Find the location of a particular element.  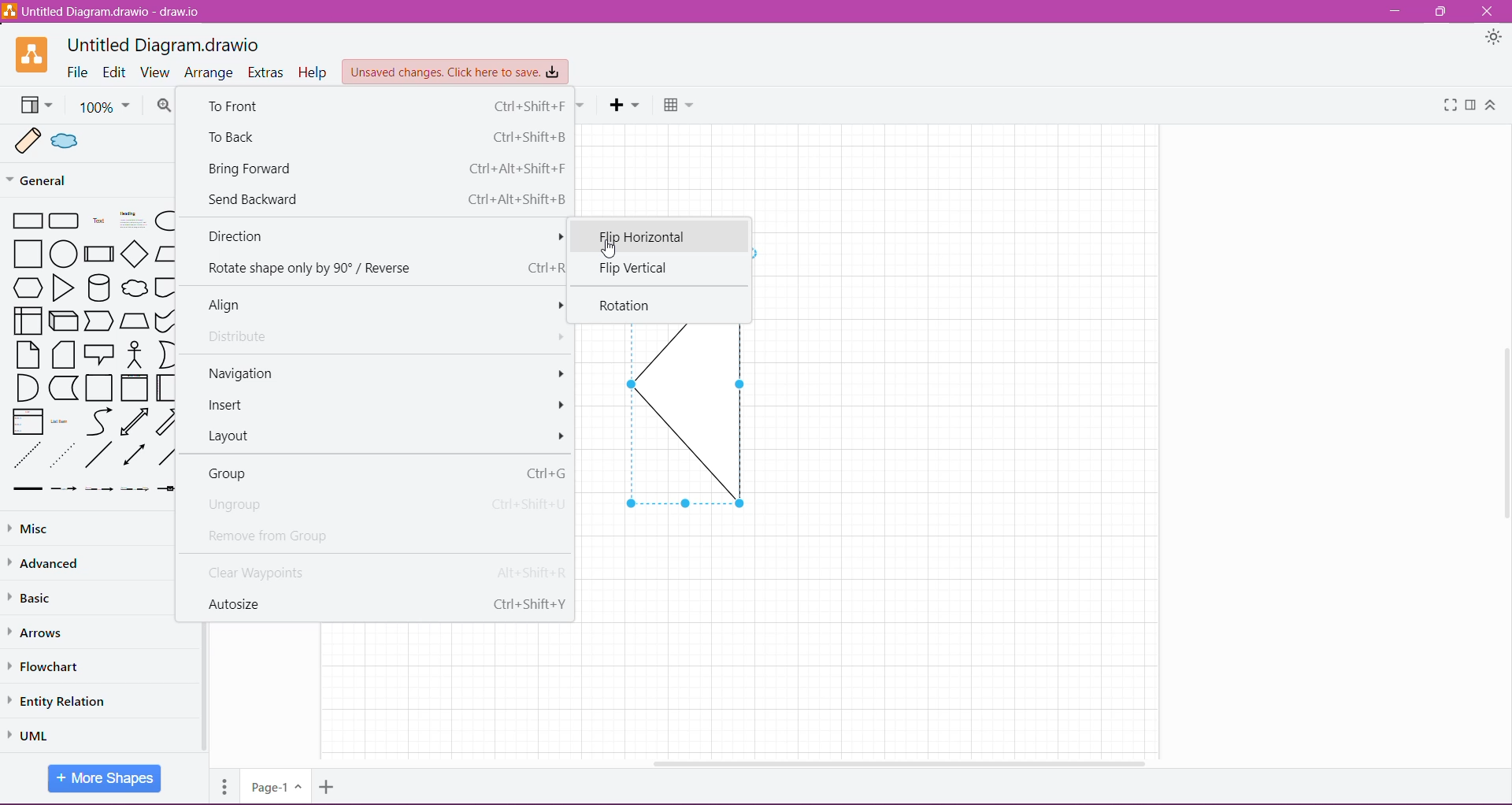

Autosize Ctrl+Shift+Y is located at coordinates (387, 607).